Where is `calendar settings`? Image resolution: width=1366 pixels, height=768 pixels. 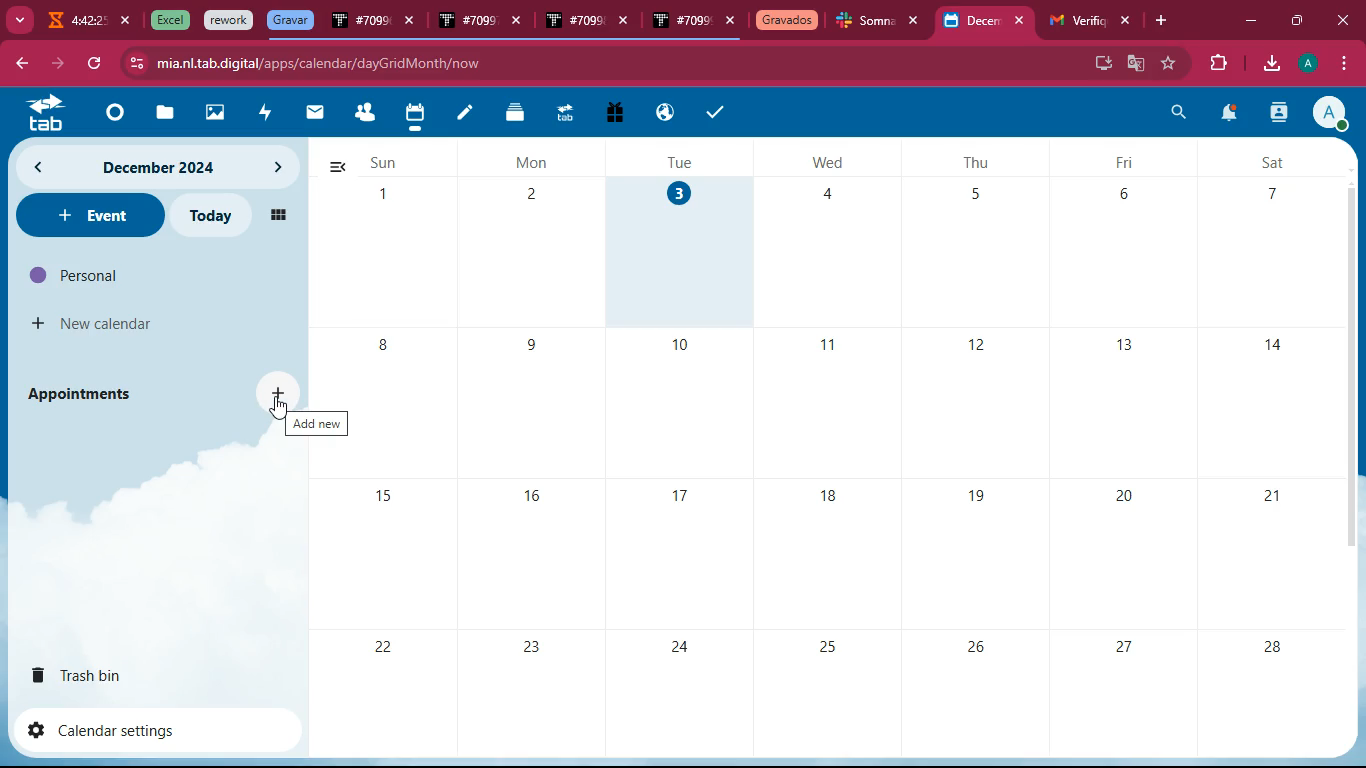 calendar settings is located at coordinates (110, 729).